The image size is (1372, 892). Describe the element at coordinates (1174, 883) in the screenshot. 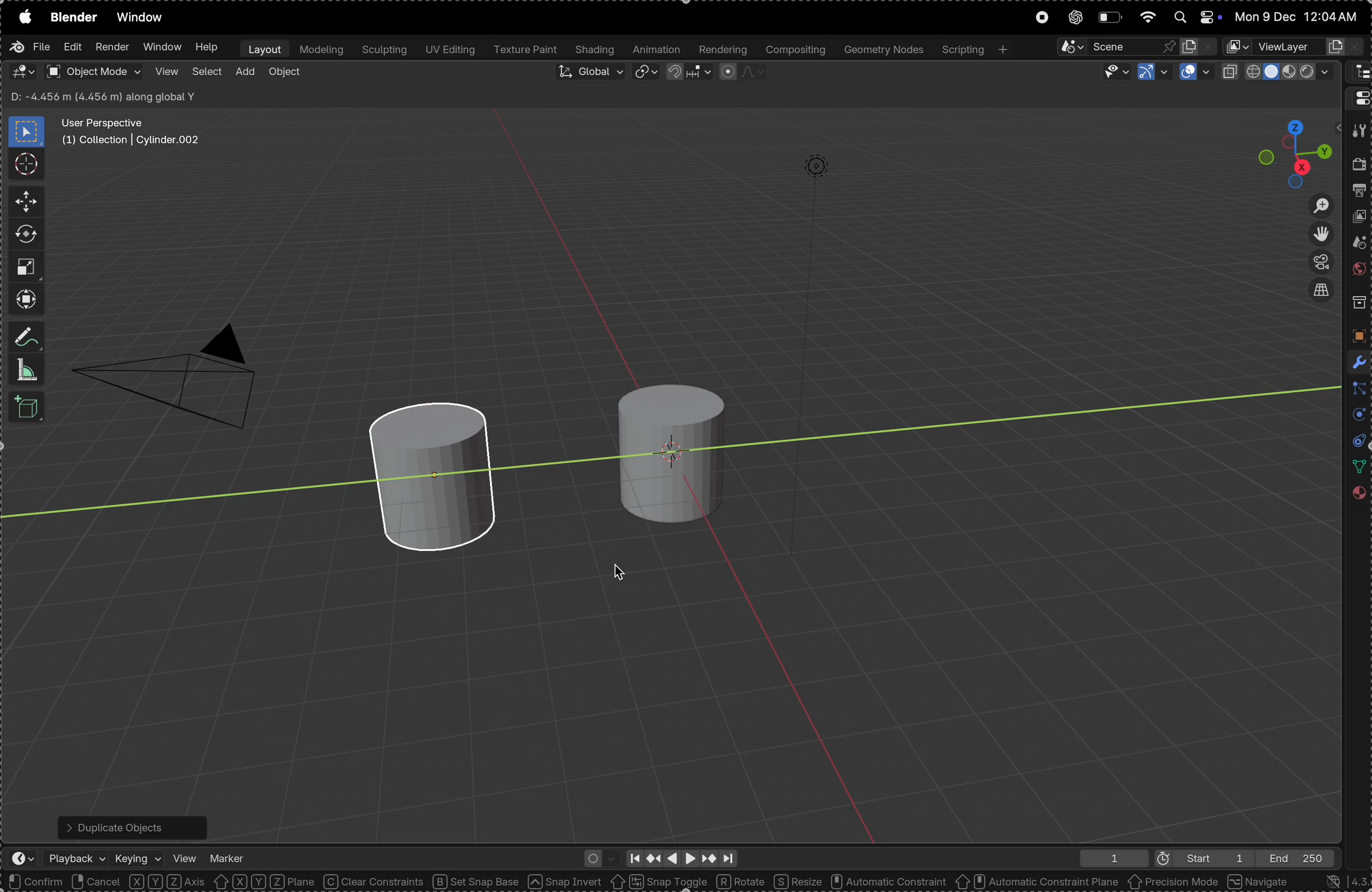

I see `precision mode` at that location.